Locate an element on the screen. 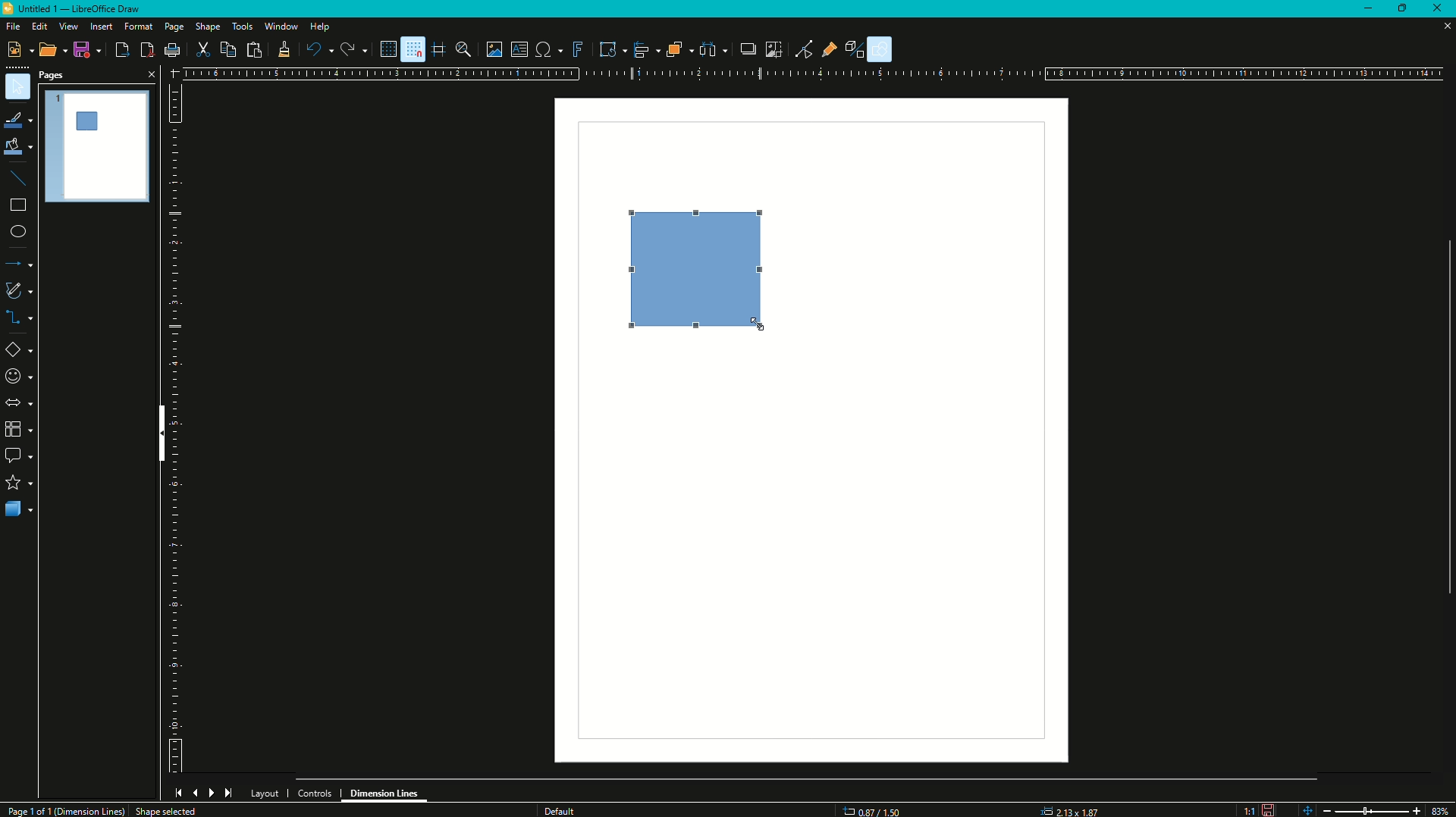  Redo is located at coordinates (353, 50).